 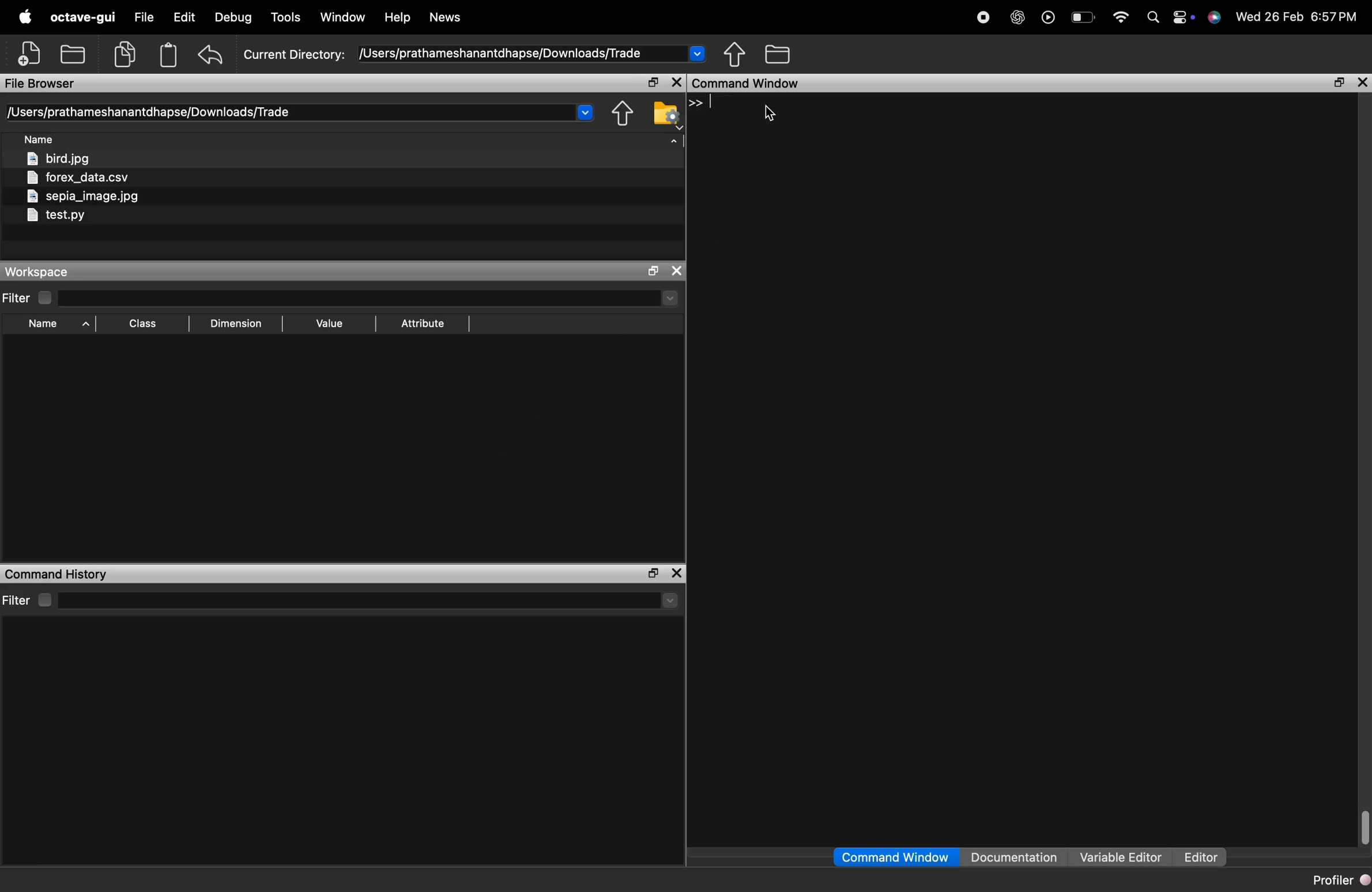 What do you see at coordinates (85, 189) in the screenshot?
I see `files` at bounding box center [85, 189].